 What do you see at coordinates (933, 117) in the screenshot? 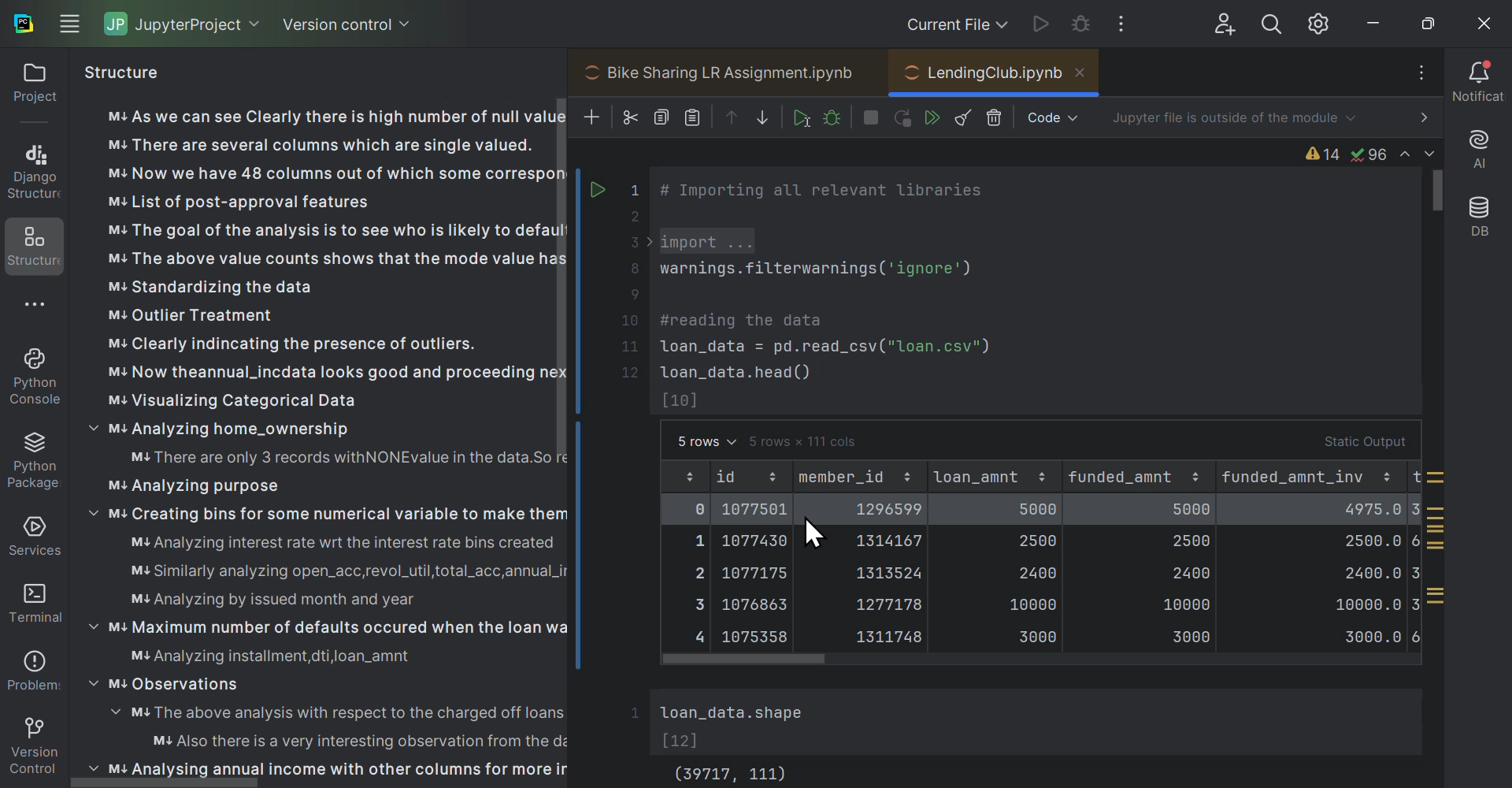
I see `Run all` at bounding box center [933, 117].